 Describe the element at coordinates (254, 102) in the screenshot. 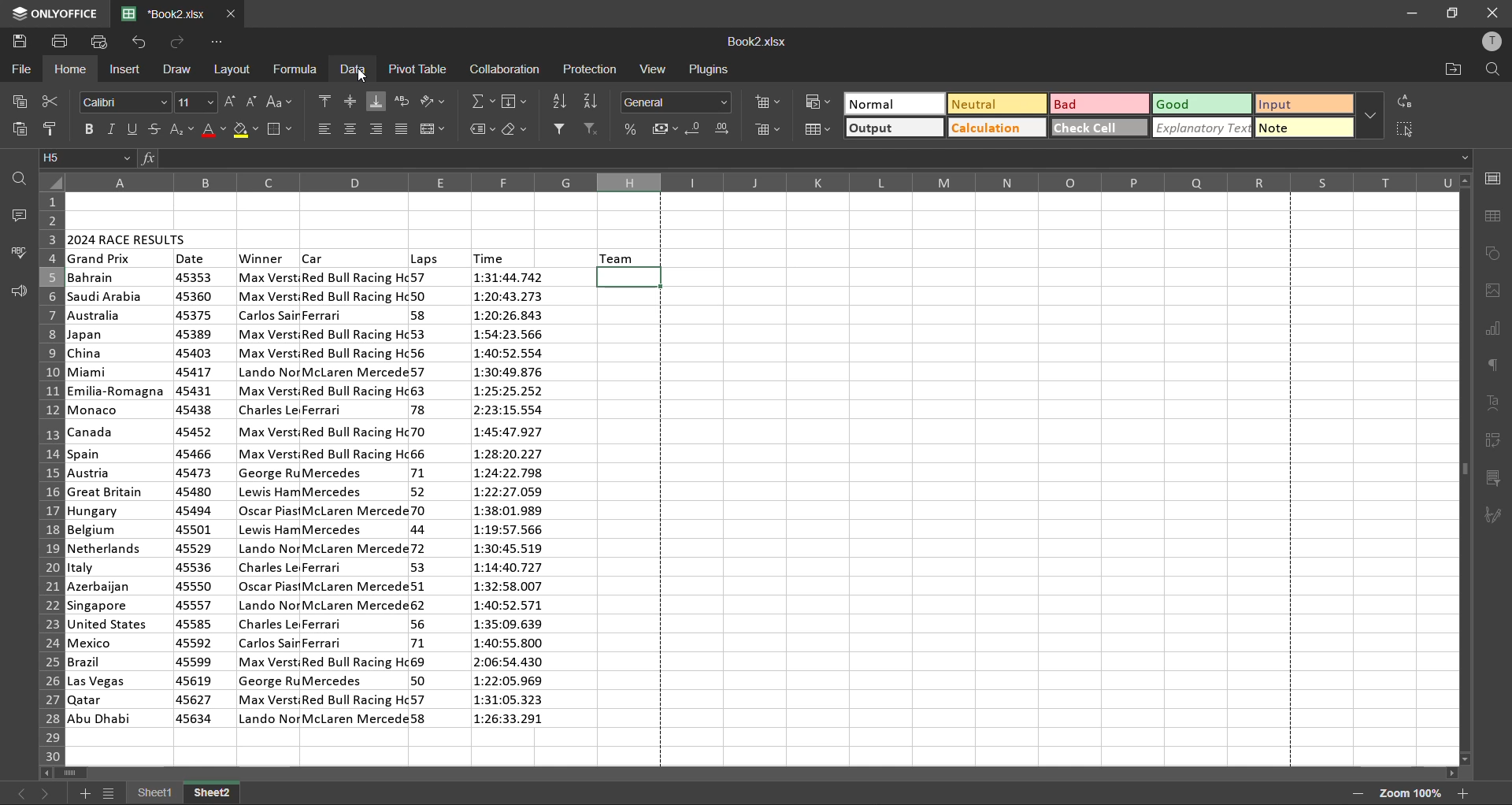

I see `decrement size` at that location.